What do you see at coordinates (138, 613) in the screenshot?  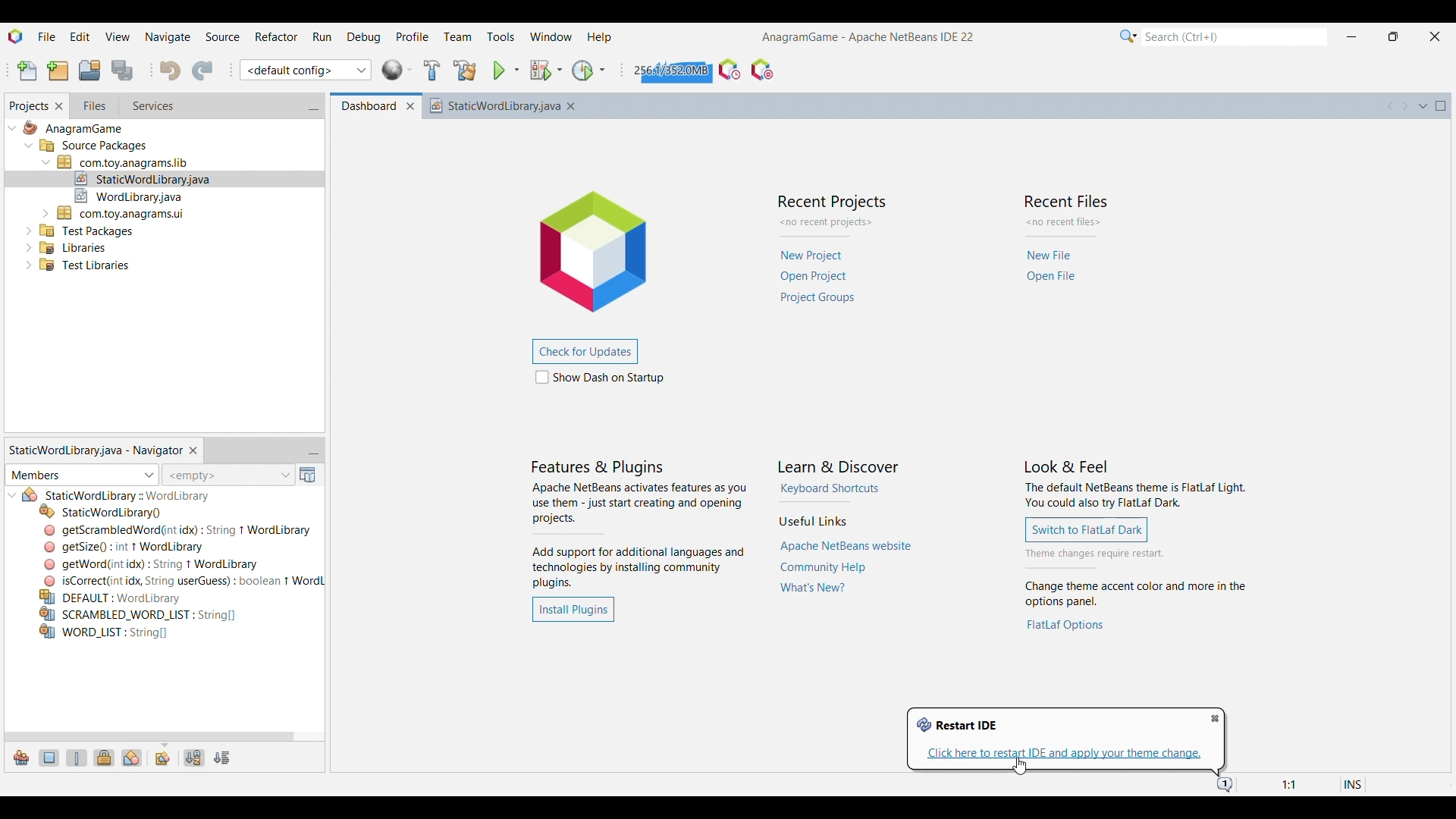 I see `` at bounding box center [138, 613].